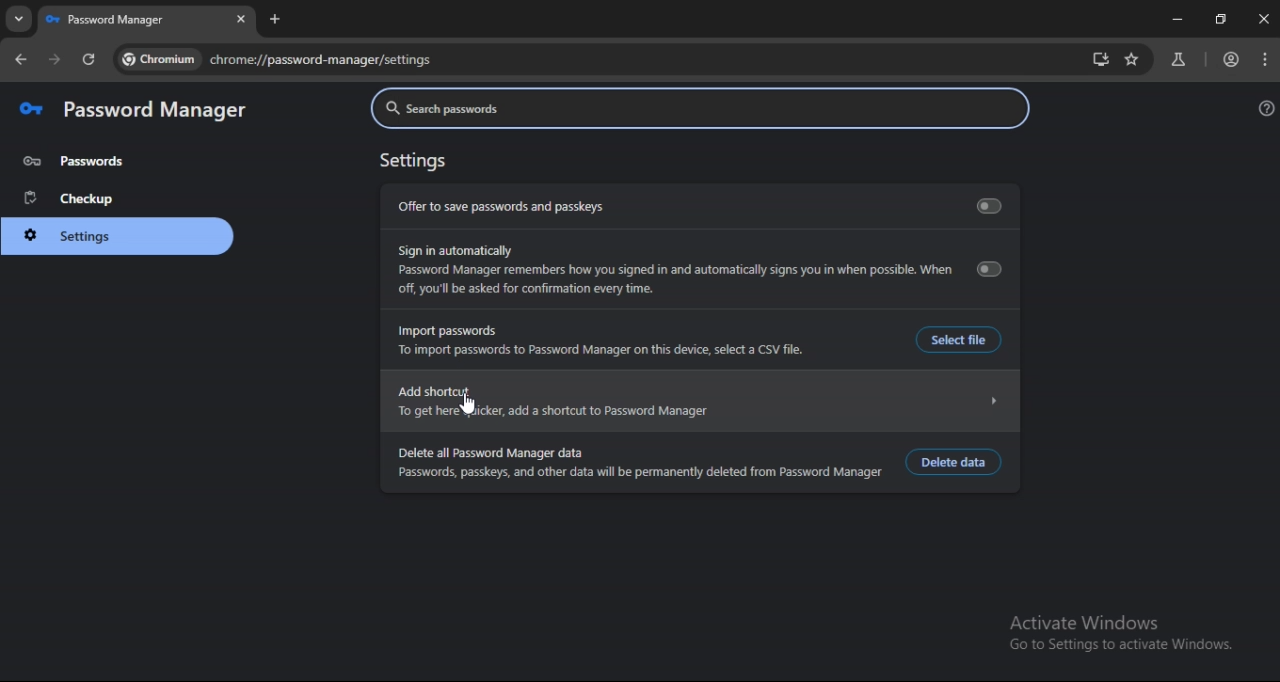 This screenshot has height=682, width=1280. Describe the element at coordinates (1263, 107) in the screenshot. I see `get help` at that location.